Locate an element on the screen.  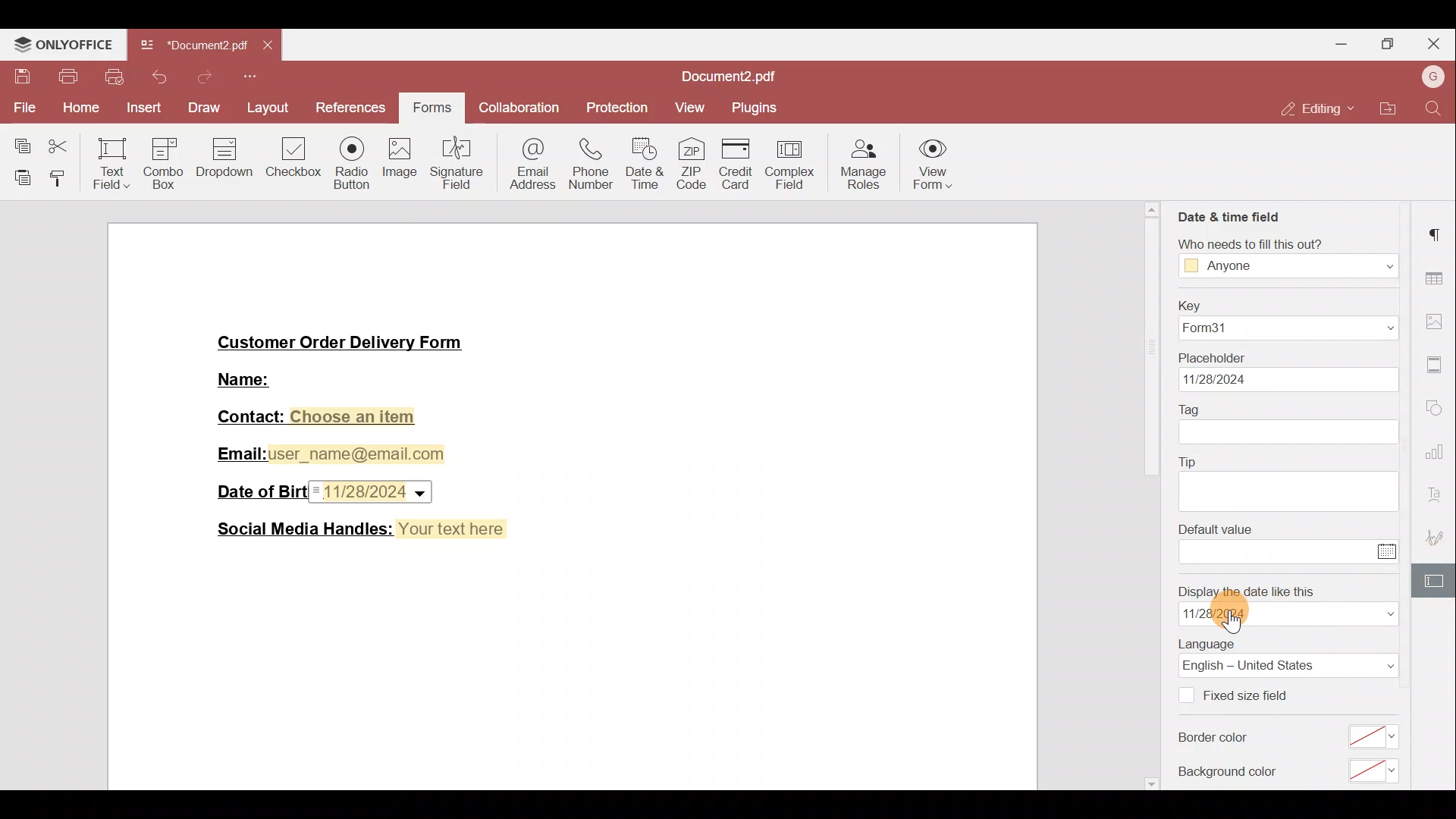
Date & time field is located at coordinates (1231, 216).